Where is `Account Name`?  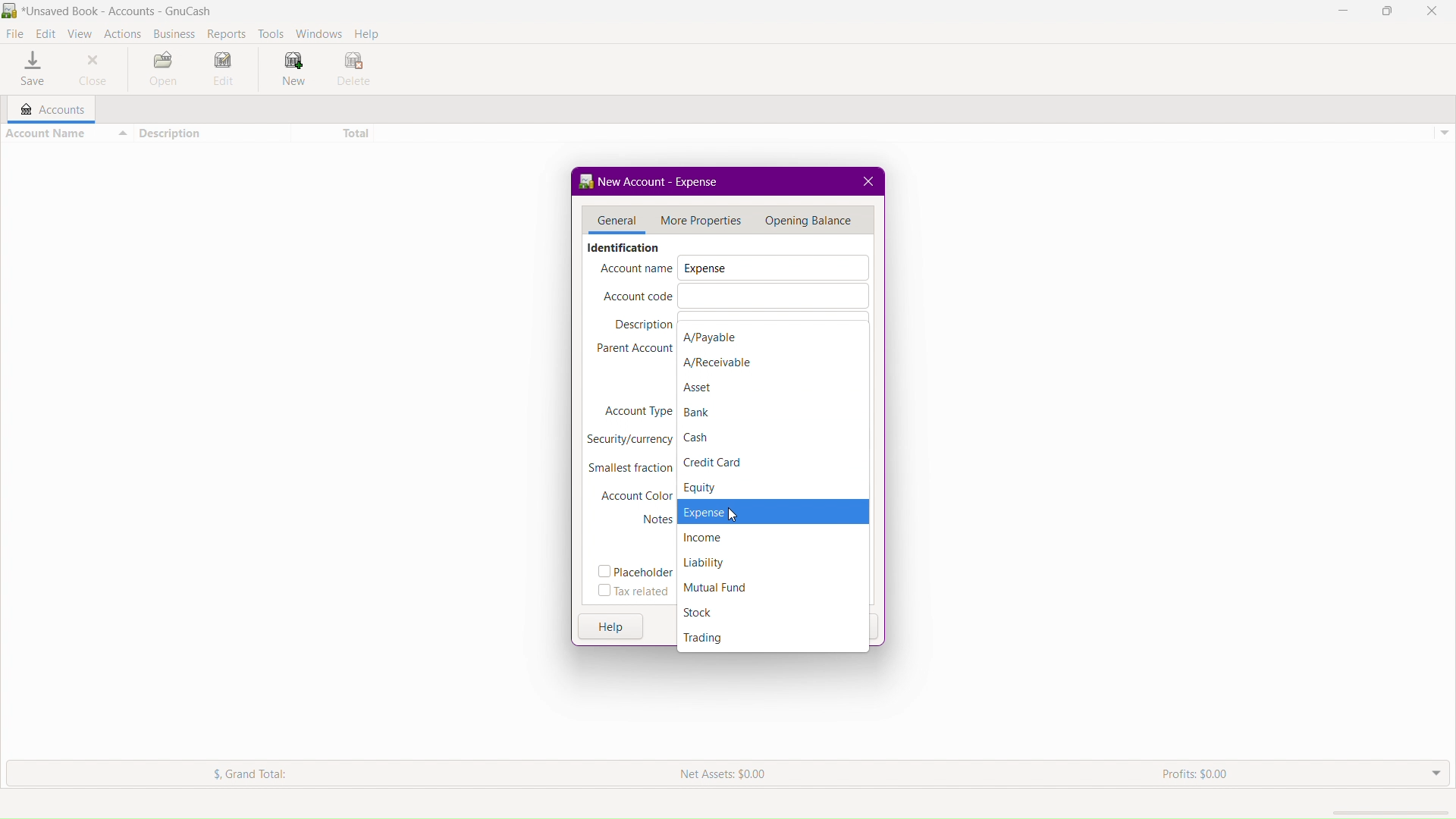 Account Name is located at coordinates (731, 270).